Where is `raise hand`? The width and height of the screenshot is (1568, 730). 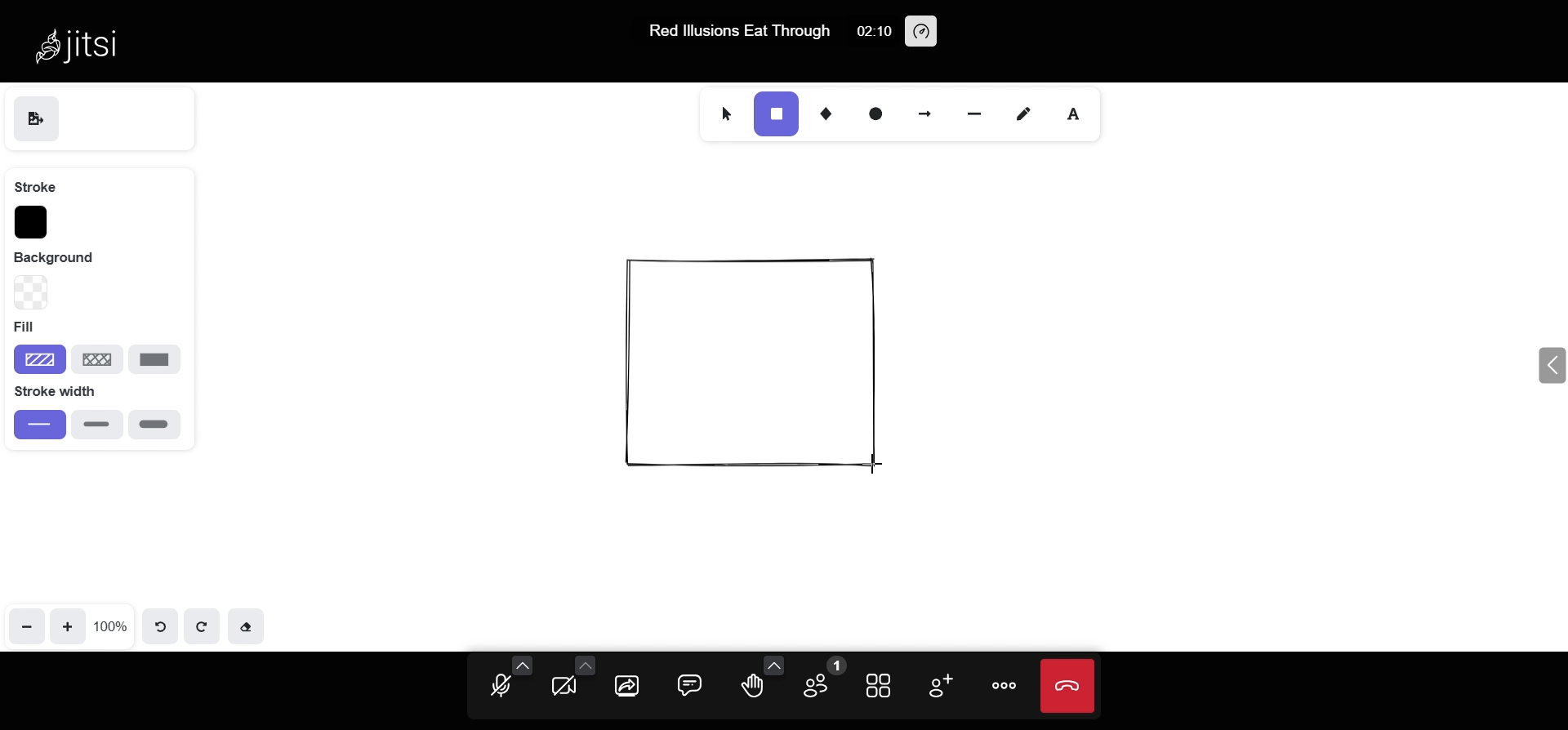 raise hand is located at coordinates (751, 688).